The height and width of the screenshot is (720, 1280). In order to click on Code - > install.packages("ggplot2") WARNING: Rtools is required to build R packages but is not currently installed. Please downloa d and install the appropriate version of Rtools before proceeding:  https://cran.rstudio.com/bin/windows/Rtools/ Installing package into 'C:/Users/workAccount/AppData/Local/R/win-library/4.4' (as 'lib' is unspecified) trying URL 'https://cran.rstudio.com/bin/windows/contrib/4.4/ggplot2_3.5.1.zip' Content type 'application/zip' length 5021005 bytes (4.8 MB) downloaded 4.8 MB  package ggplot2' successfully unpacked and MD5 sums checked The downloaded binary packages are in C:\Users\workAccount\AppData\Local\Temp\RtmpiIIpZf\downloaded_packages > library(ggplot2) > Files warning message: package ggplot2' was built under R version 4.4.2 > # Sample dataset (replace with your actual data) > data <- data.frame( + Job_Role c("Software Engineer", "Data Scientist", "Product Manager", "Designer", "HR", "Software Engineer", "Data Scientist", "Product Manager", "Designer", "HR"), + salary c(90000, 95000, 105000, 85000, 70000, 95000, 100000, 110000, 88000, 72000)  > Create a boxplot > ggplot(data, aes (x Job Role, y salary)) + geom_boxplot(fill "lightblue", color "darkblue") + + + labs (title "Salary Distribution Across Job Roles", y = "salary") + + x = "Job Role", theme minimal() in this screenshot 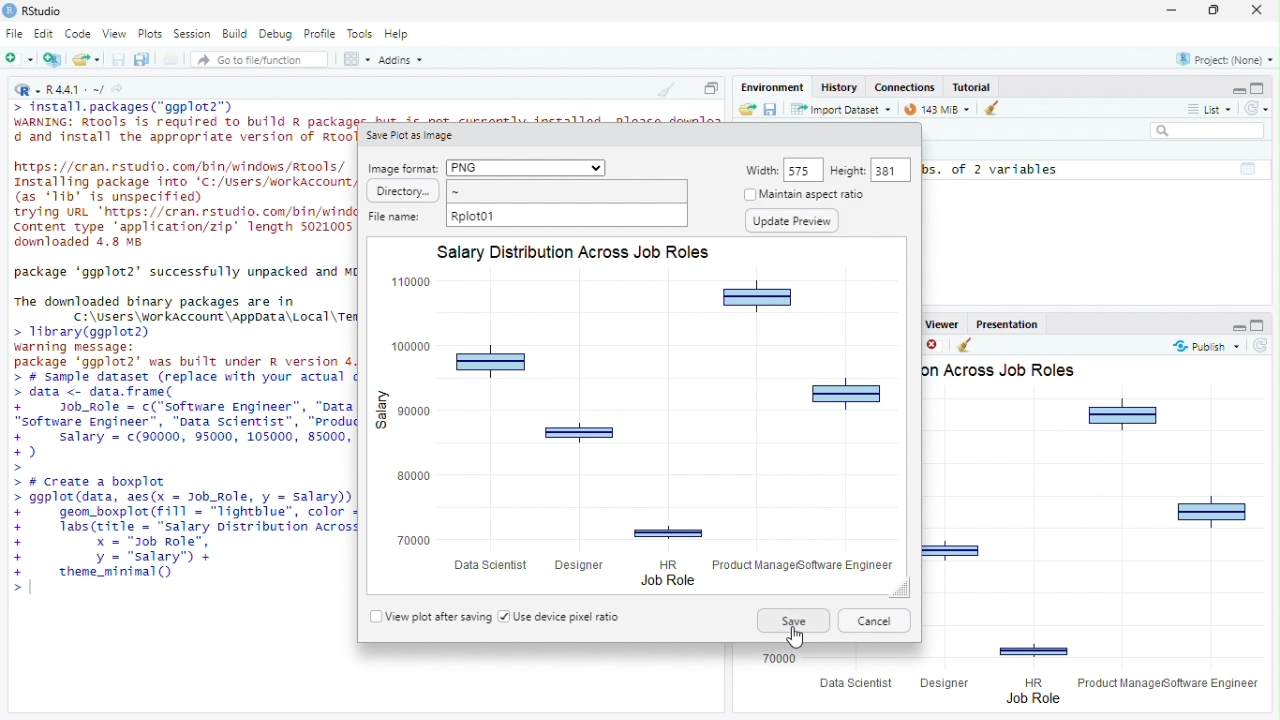, I will do `click(179, 354)`.